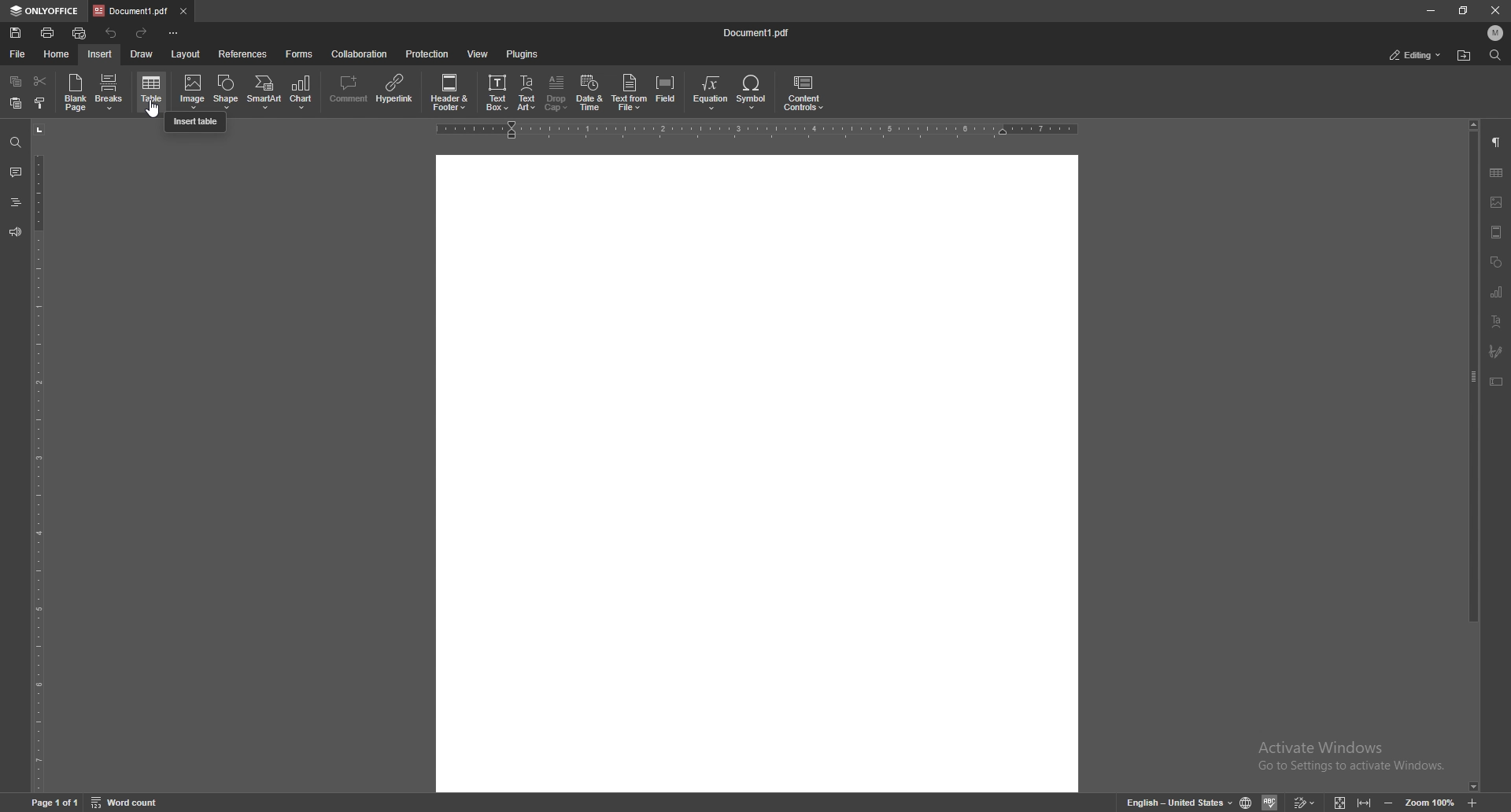 The image size is (1511, 812). Describe the element at coordinates (478, 54) in the screenshot. I see `view` at that location.